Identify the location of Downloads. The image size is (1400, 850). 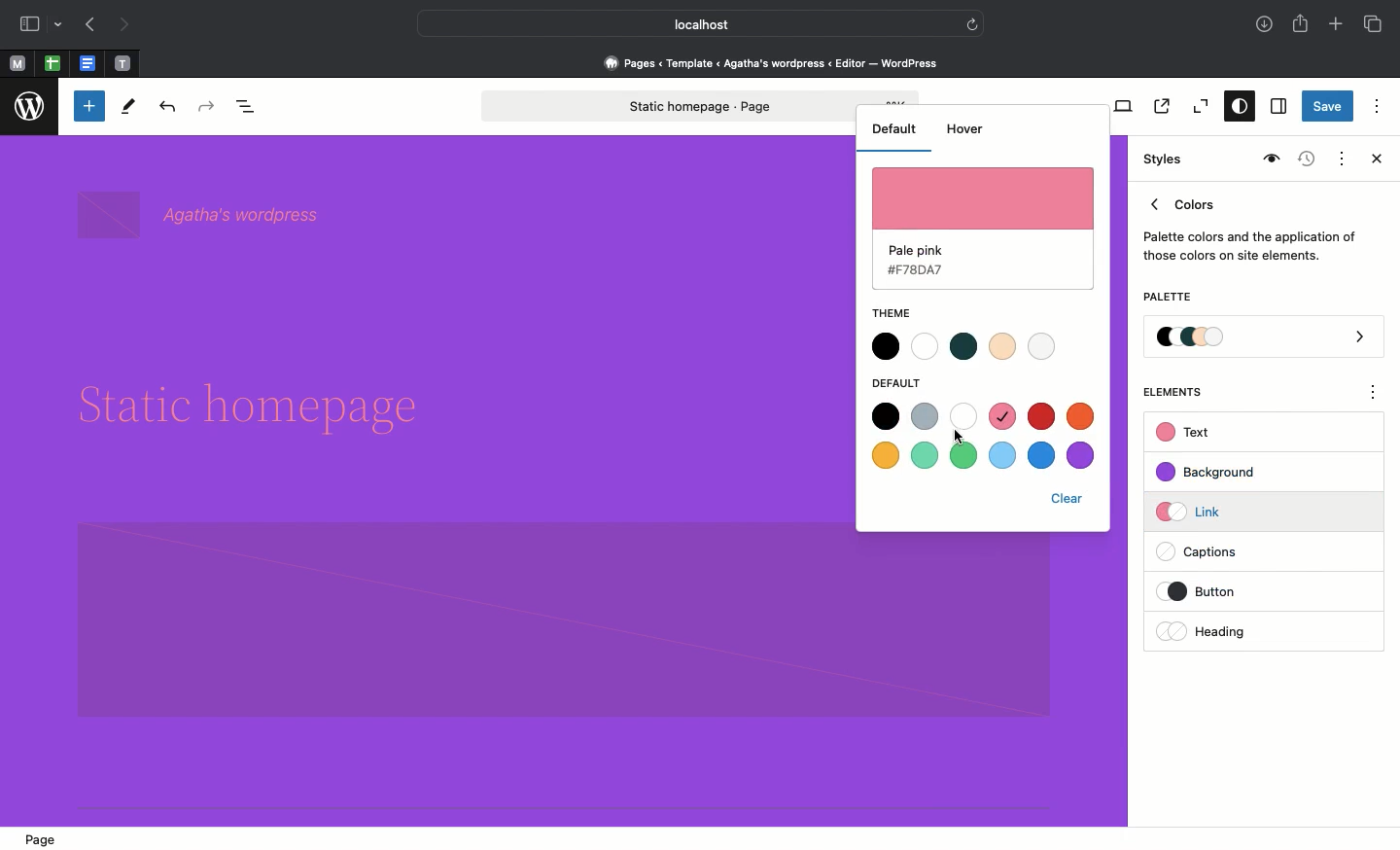
(1266, 26).